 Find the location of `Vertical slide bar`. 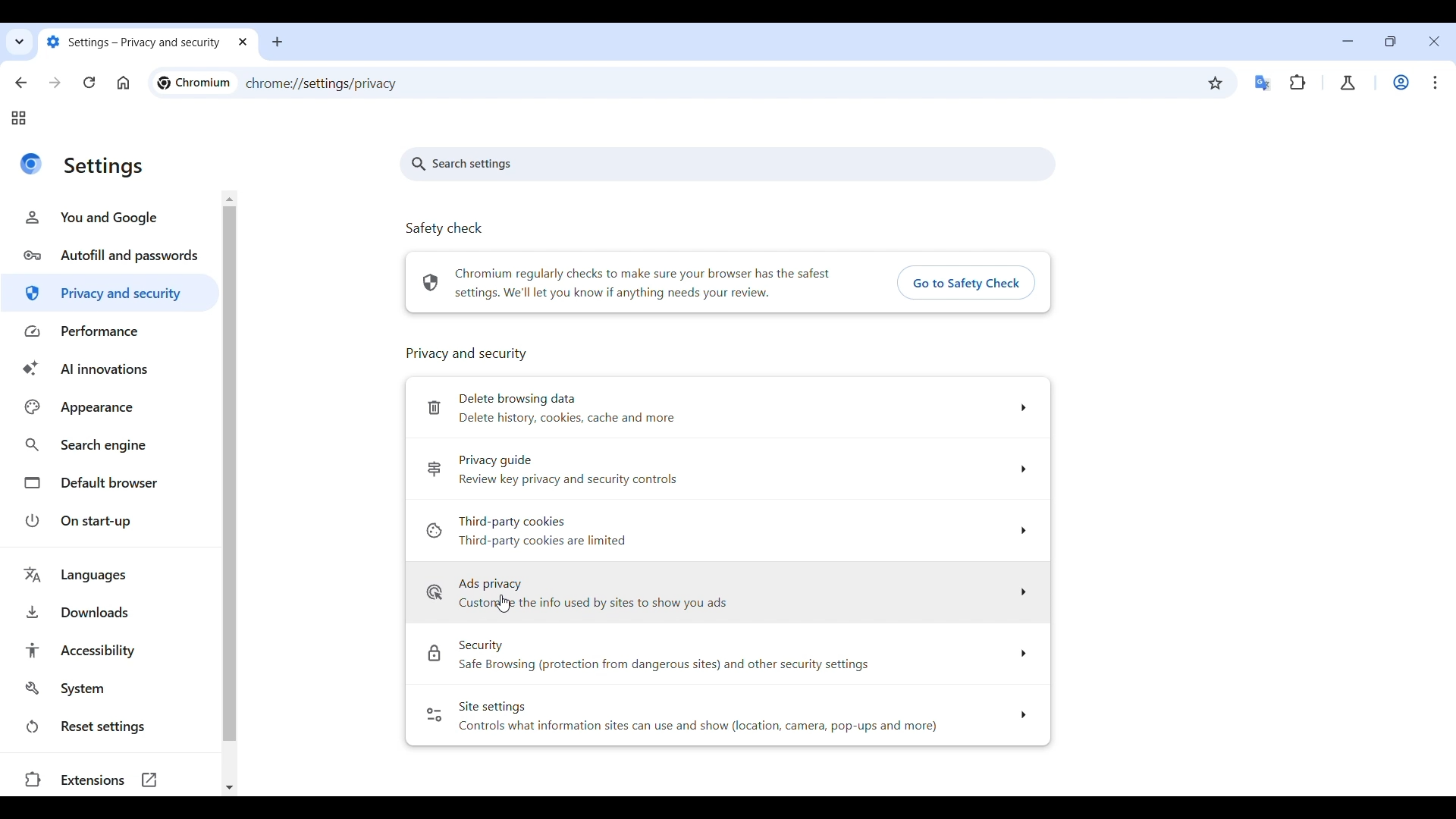

Vertical slide bar is located at coordinates (230, 473).